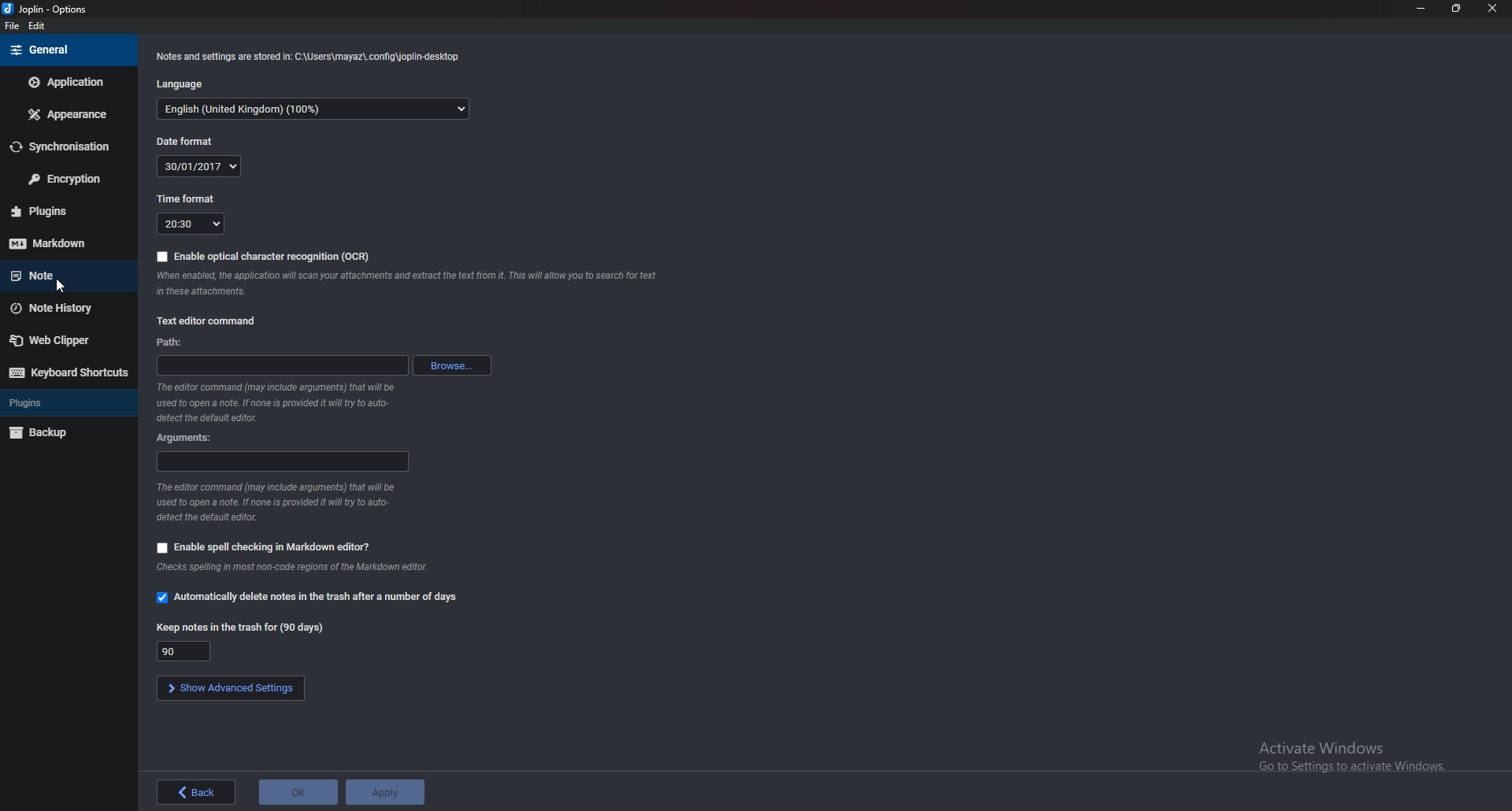  I want to click on Time format, so click(186, 199).